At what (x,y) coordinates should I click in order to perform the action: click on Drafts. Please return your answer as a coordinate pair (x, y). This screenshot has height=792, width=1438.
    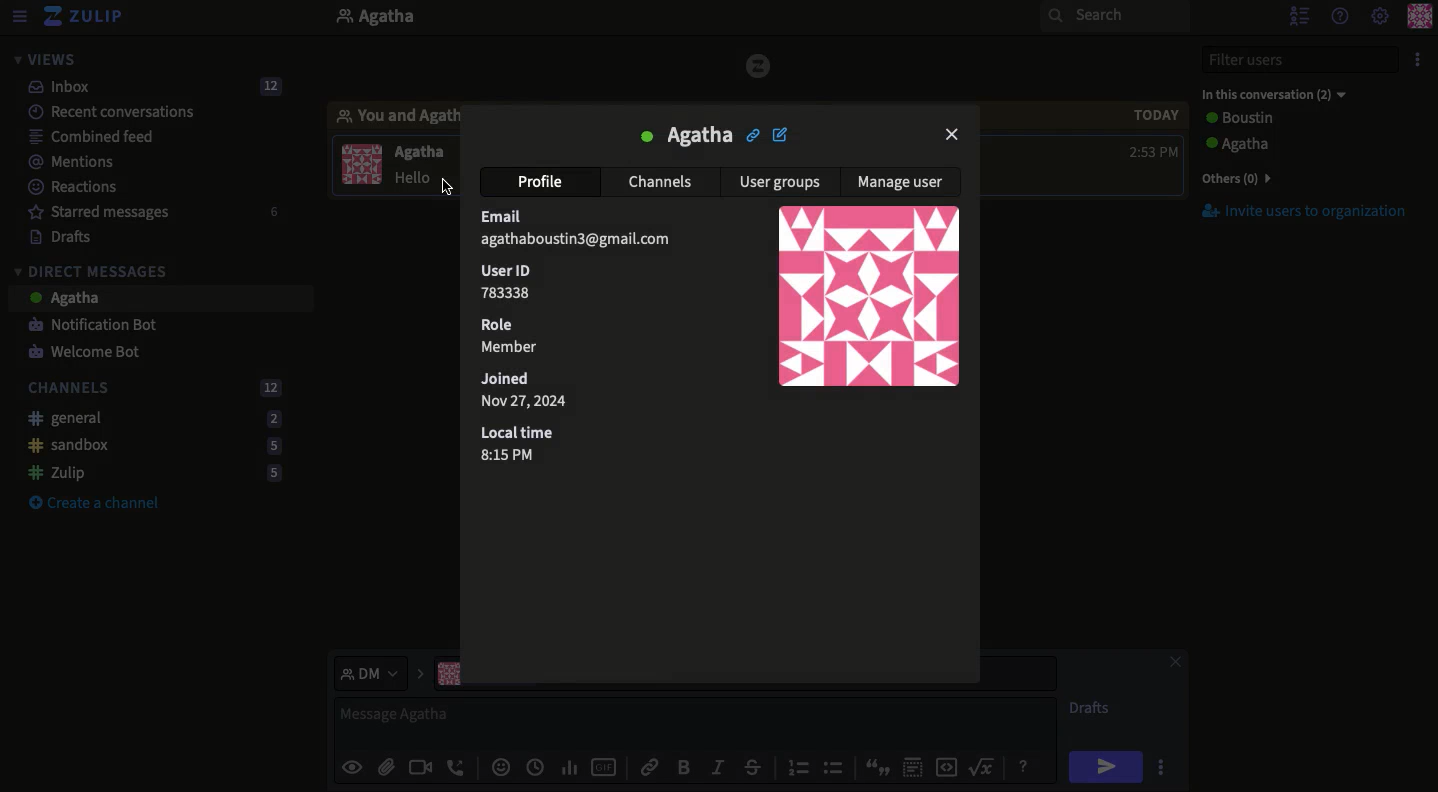
    Looking at the image, I should click on (68, 237).